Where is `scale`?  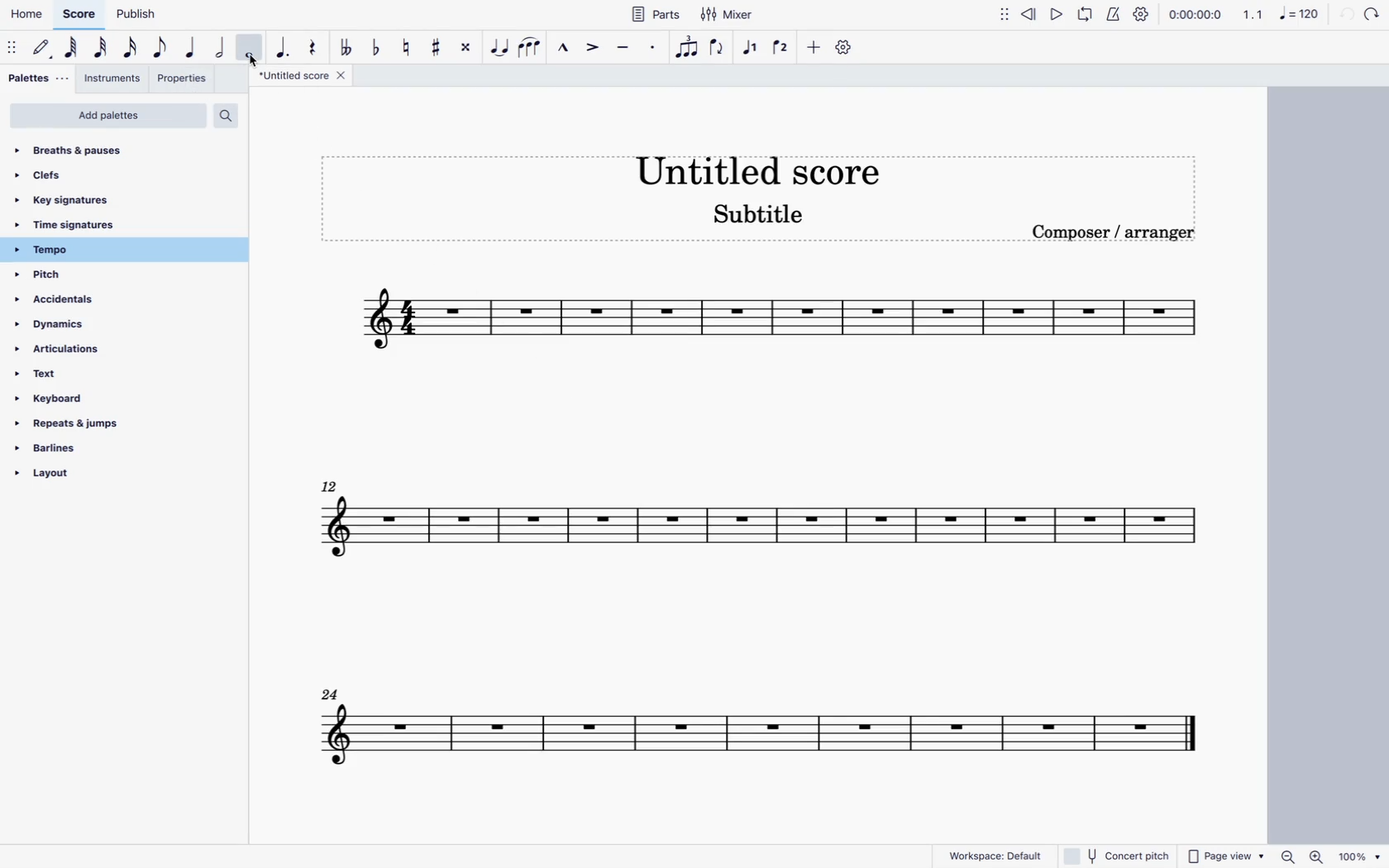
scale is located at coordinates (1239, 15).